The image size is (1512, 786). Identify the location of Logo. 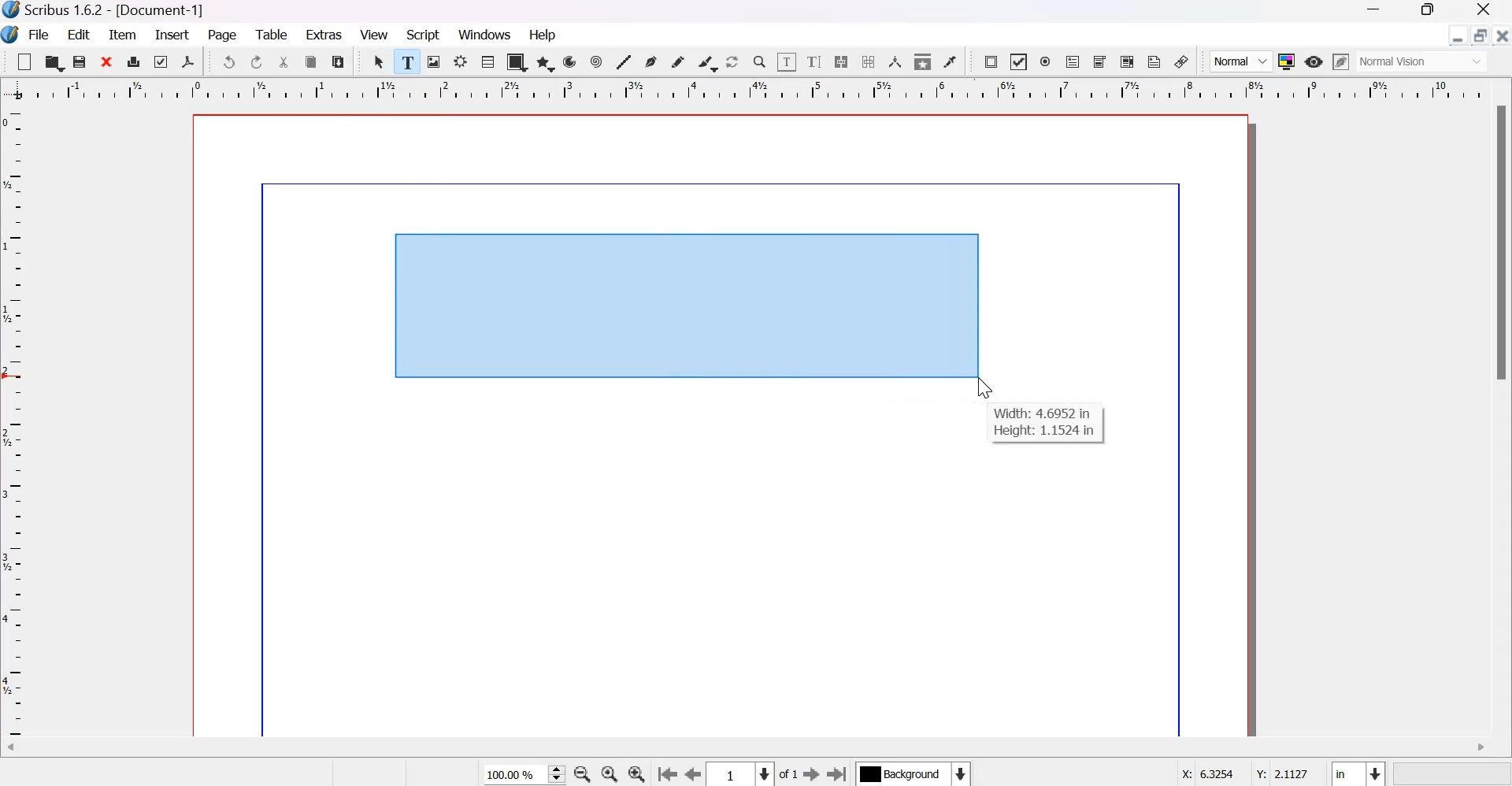
(11, 35).